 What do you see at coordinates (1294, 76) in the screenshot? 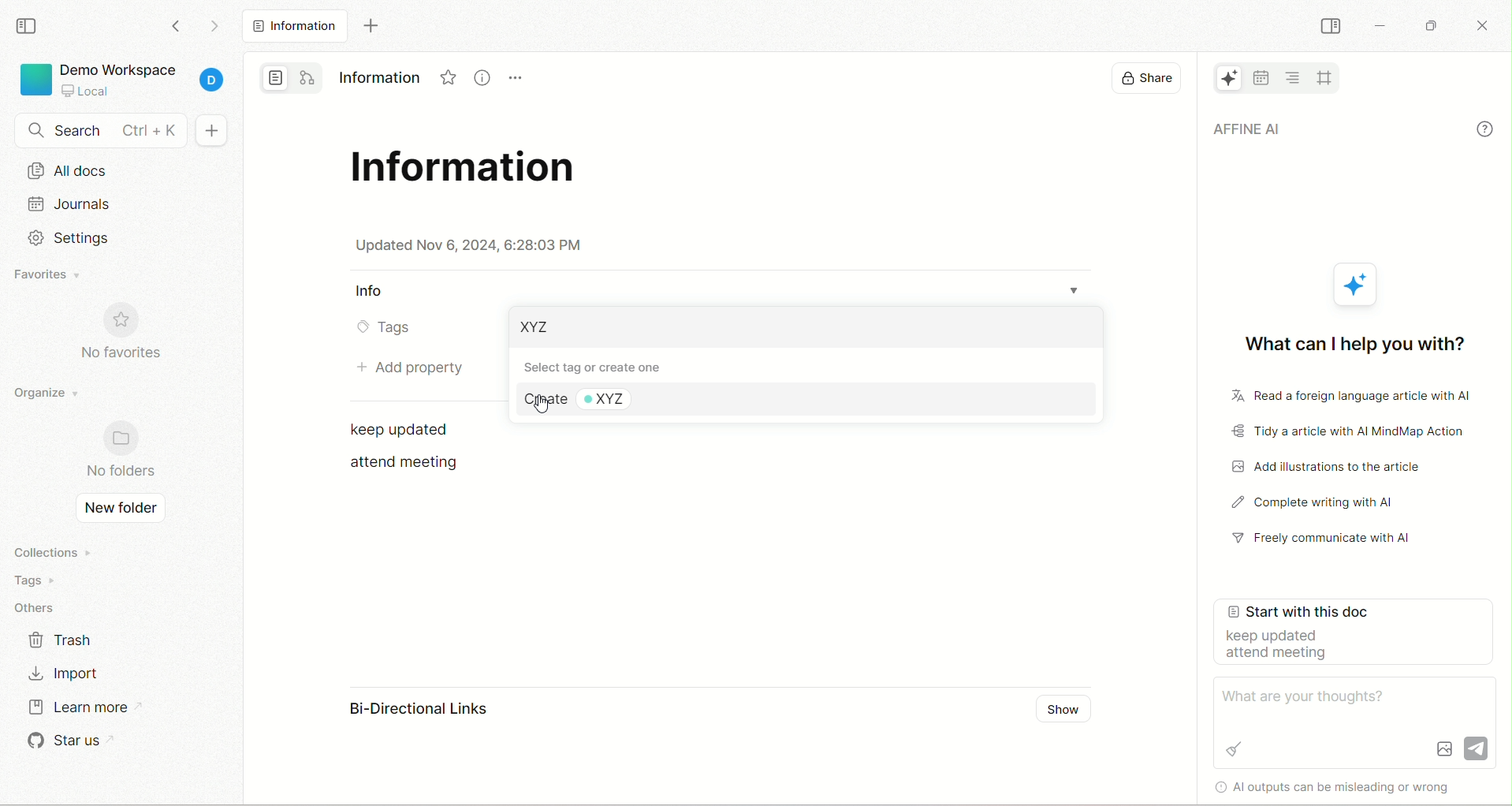
I see `table of content` at bounding box center [1294, 76].